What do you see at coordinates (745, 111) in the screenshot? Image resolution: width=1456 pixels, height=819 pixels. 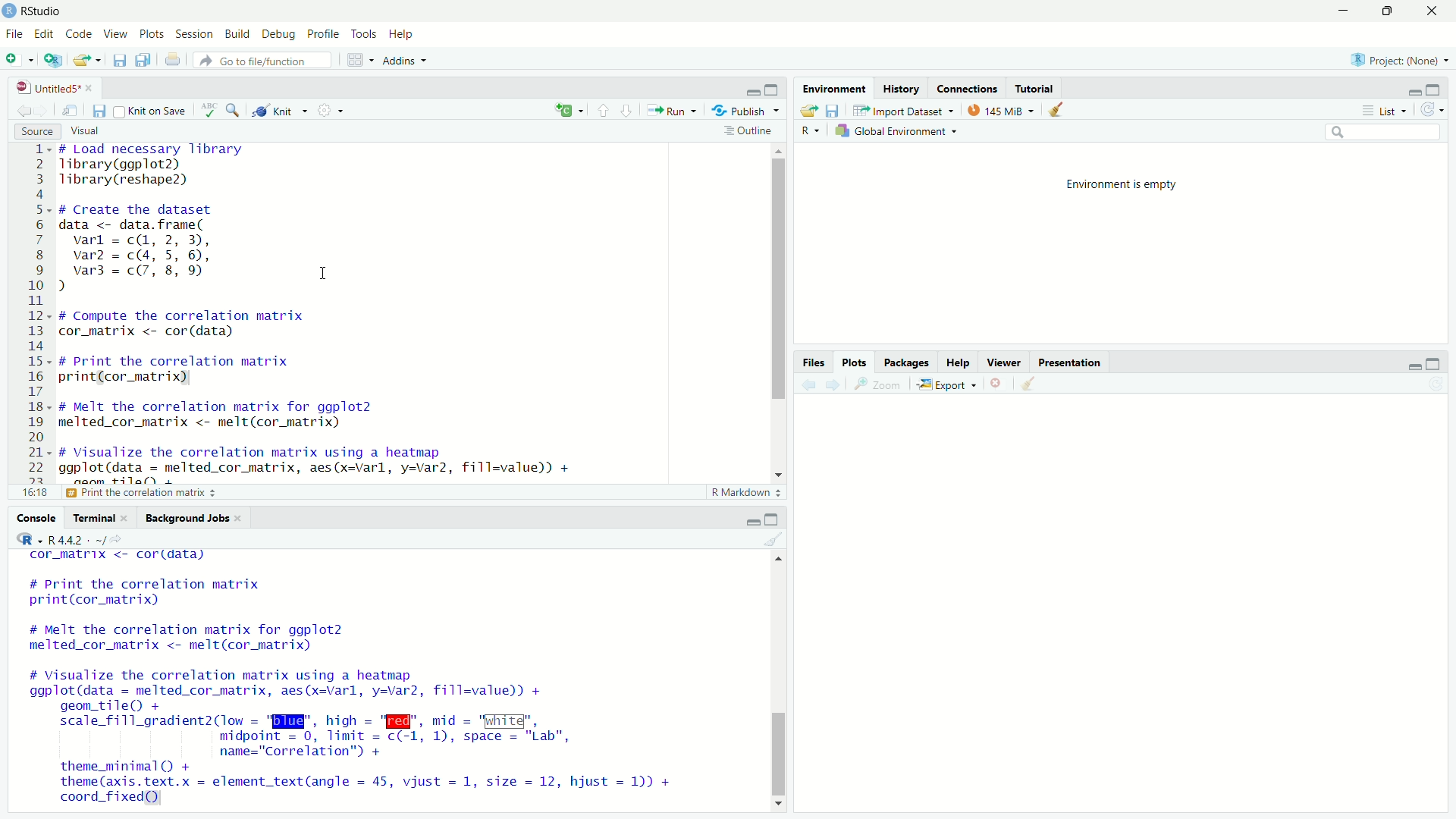 I see `publish` at bounding box center [745, 111].